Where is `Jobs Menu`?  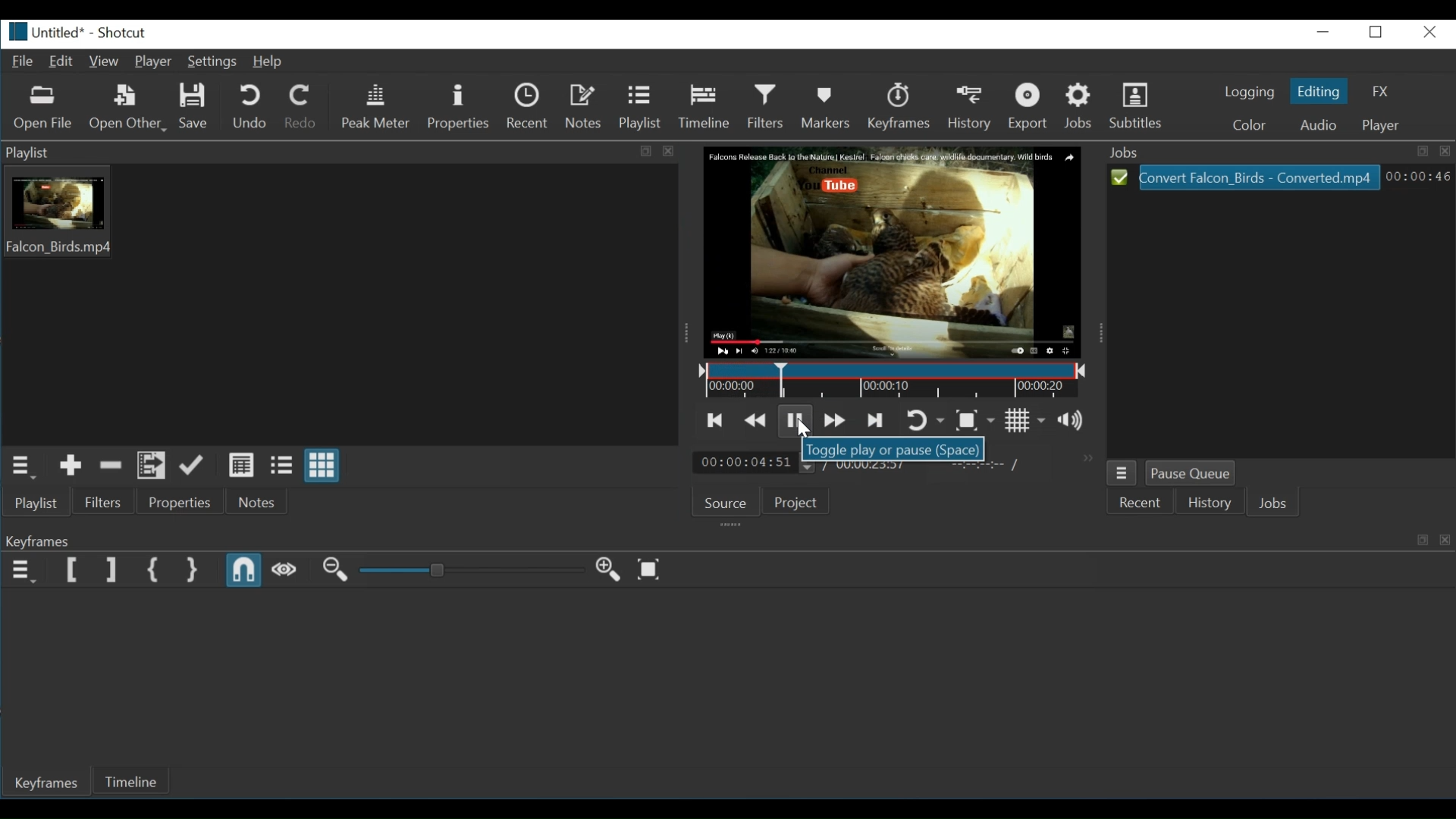
Jobs Menu is located at coordinates (1122, 473).